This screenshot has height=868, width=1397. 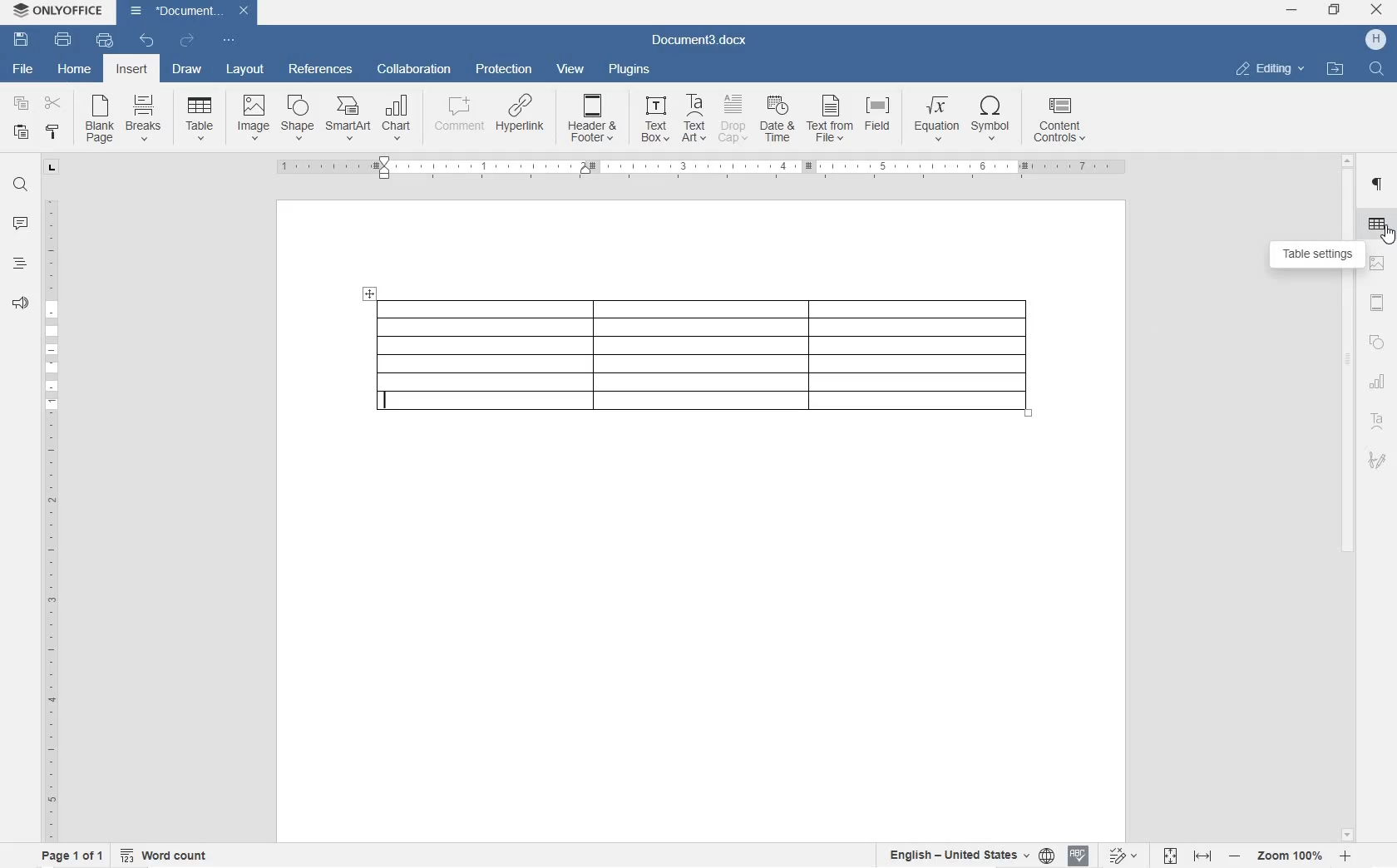 I want to click on PASTE, so click(x=23, y=133).